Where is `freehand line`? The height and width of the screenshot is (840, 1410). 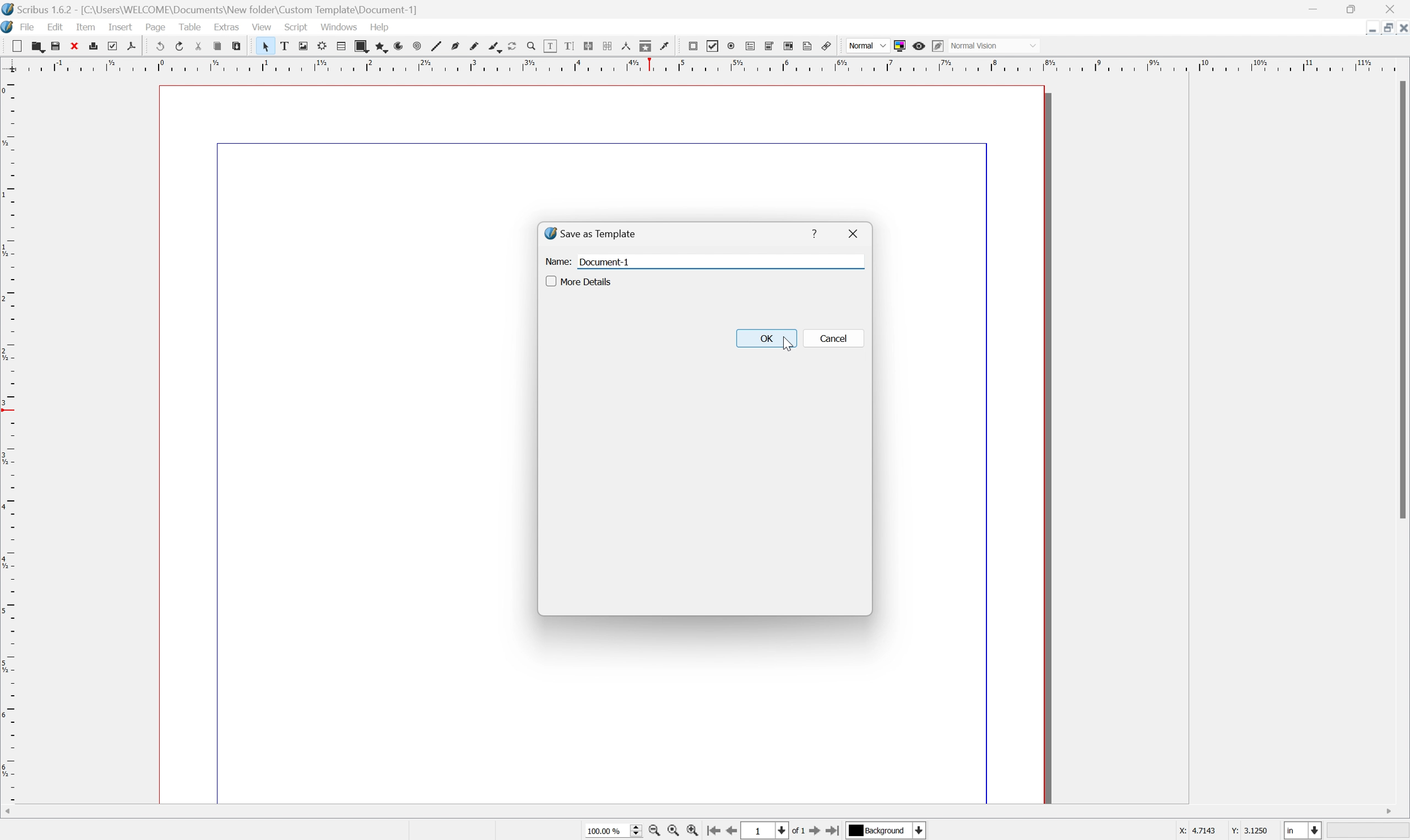
freehand line is located at coordinates (477, 45).